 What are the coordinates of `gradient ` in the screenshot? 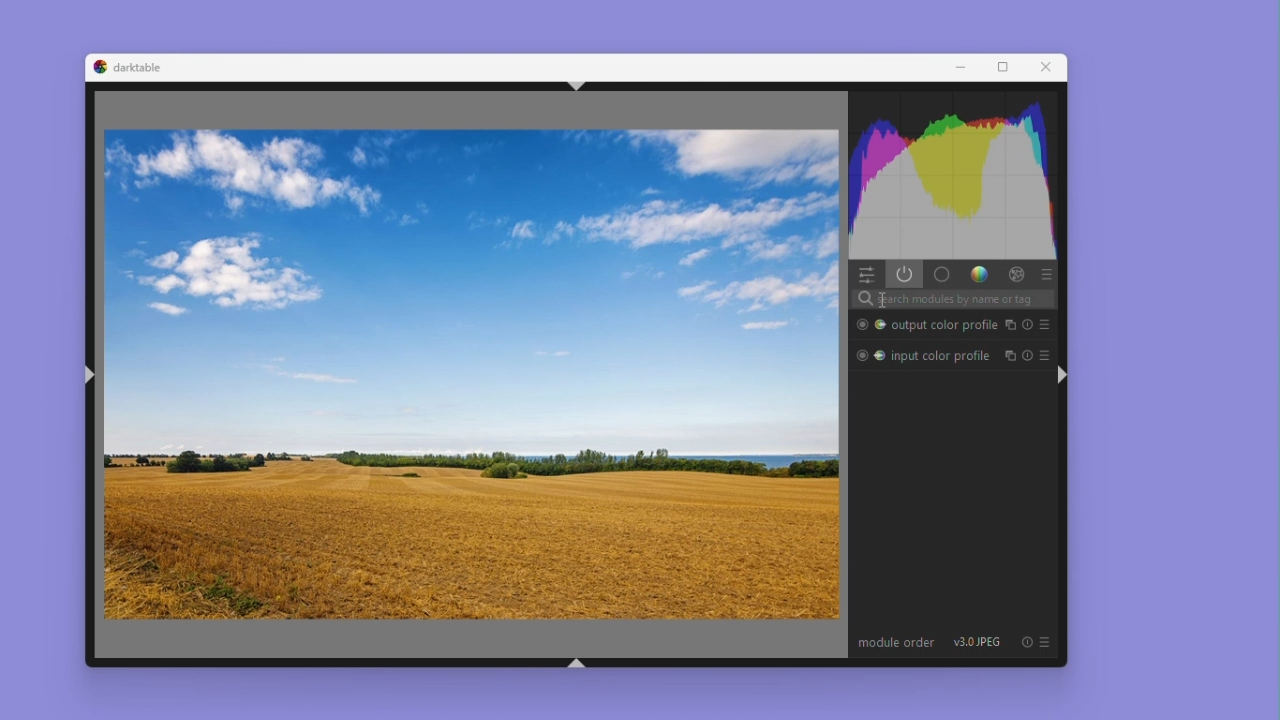 It's located at (977, 274).